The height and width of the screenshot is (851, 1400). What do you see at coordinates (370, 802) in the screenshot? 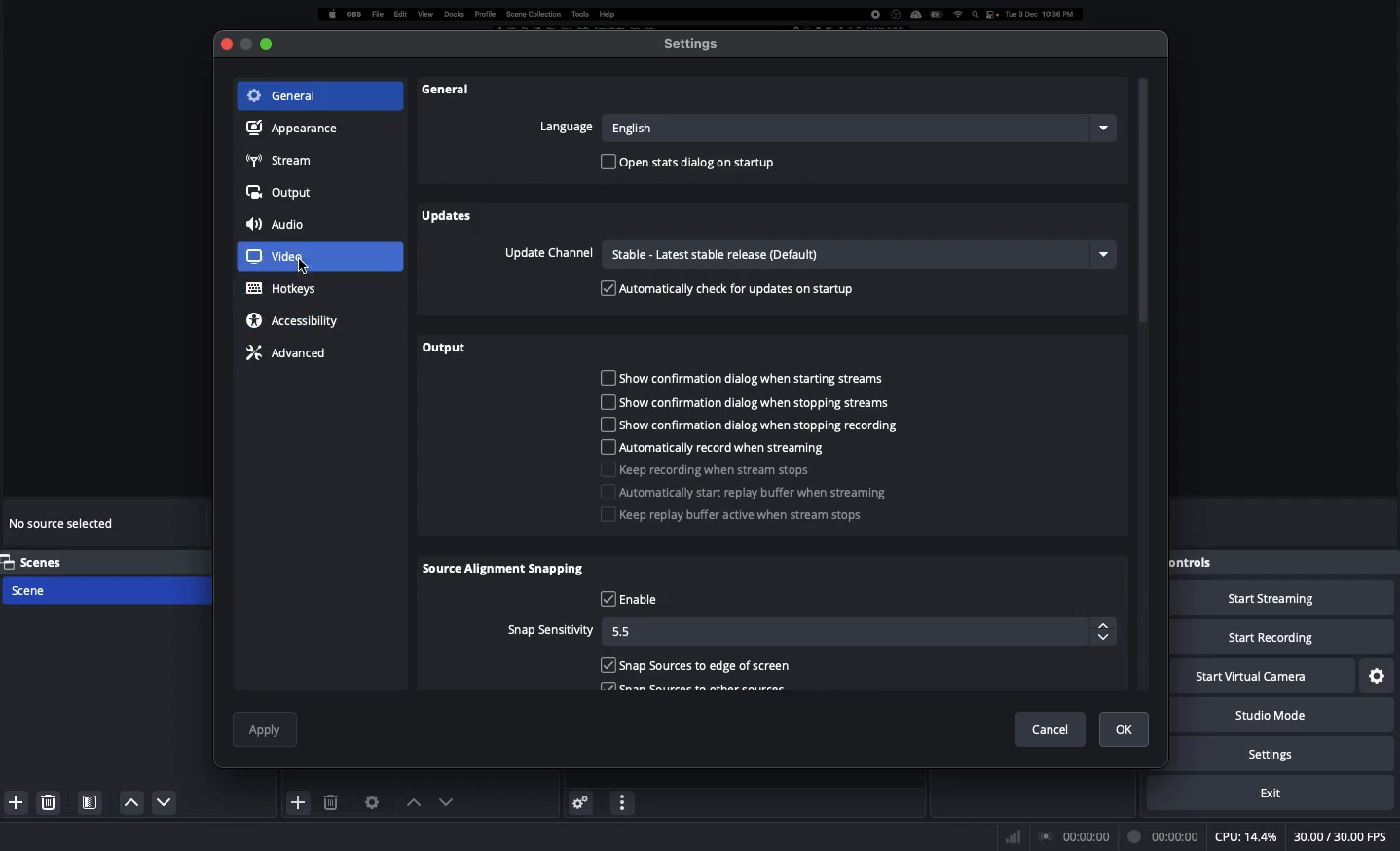
I see `Source preferences` at bounding box center [370, 802].